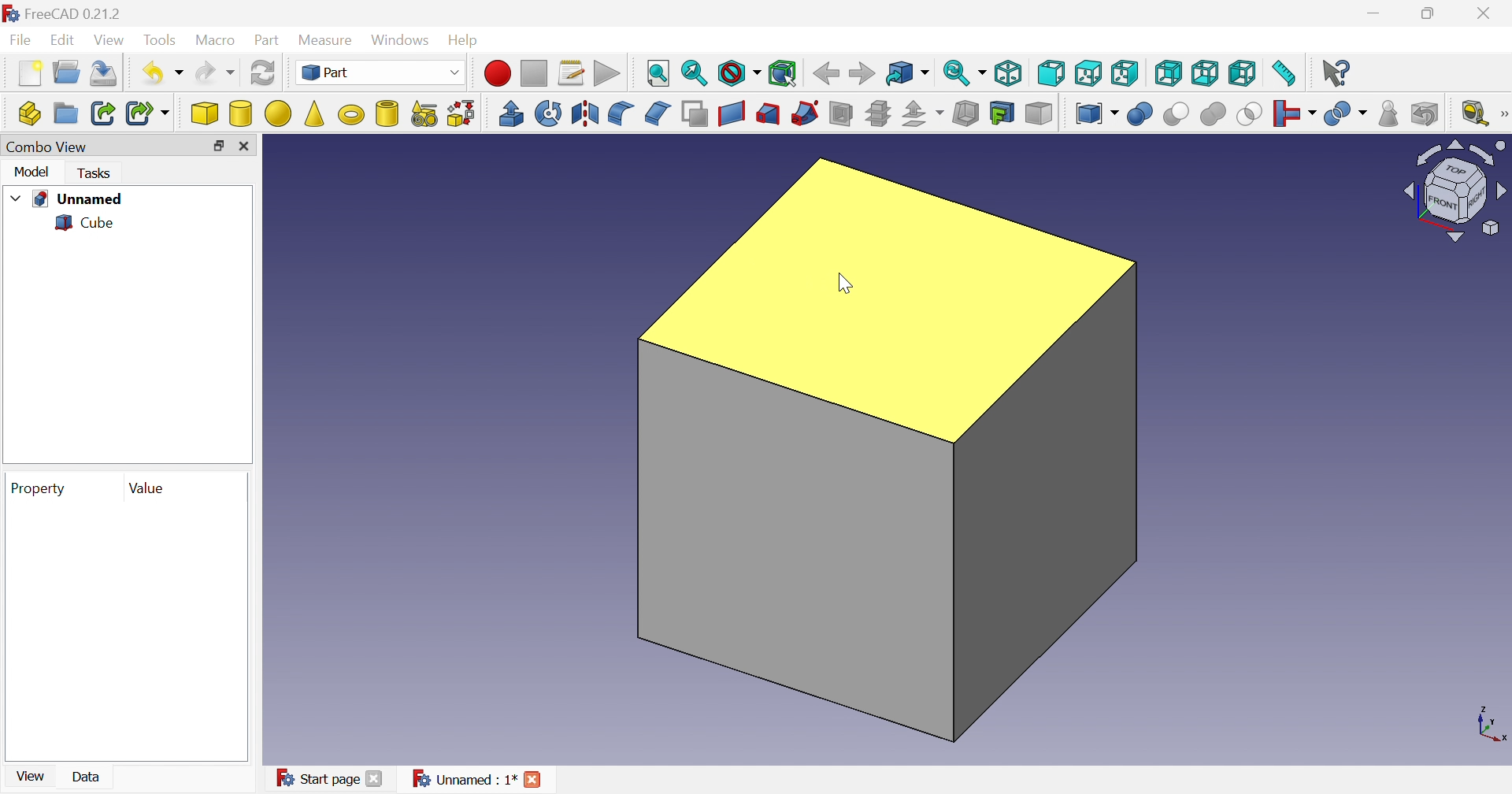 This screenshot has width=1512, height=794. What do you see at coordinates (246, 146) in the screenshot?
I see `Close` at bounding box center [246, 146].